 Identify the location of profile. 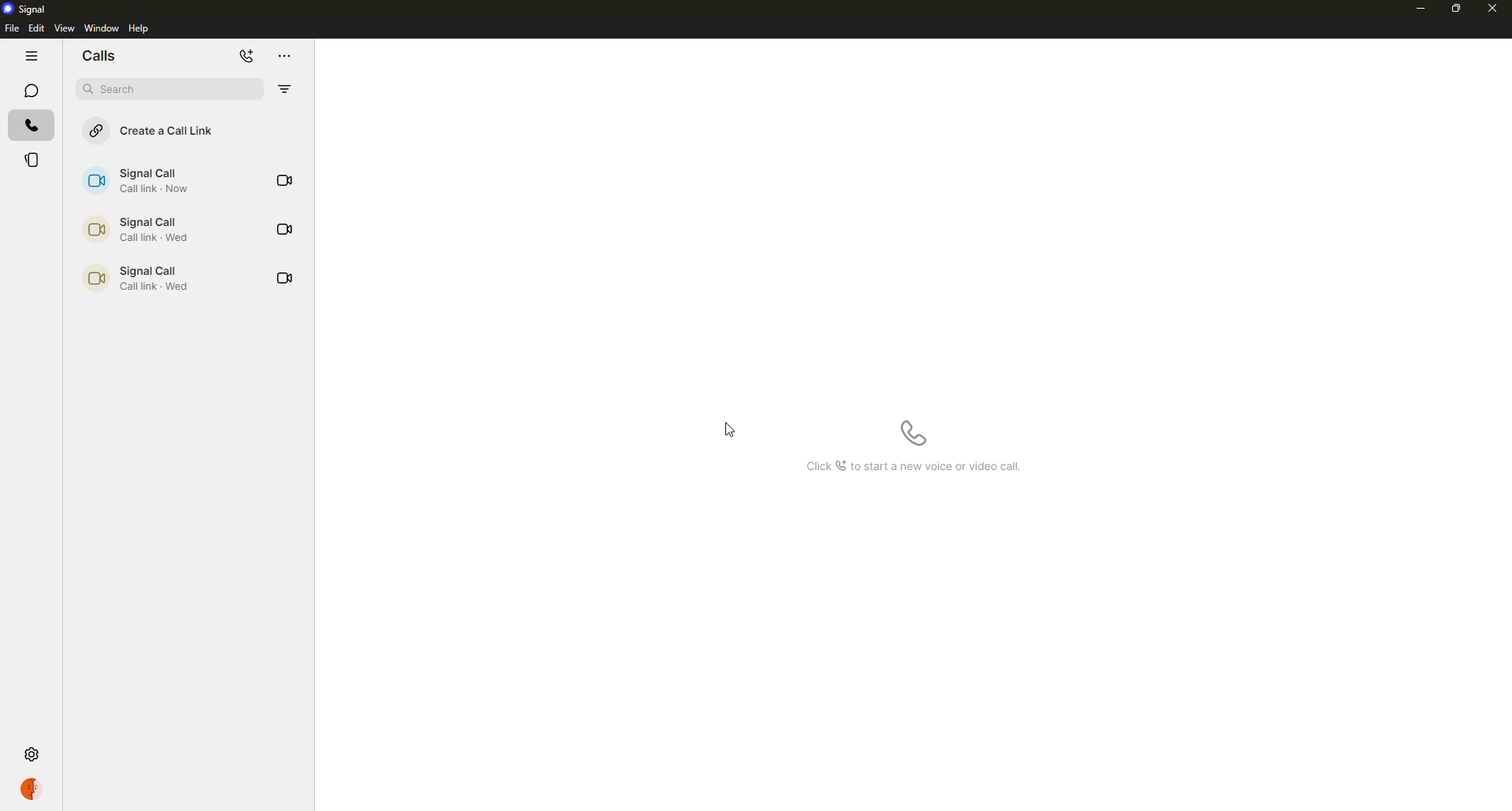
(34, 791).